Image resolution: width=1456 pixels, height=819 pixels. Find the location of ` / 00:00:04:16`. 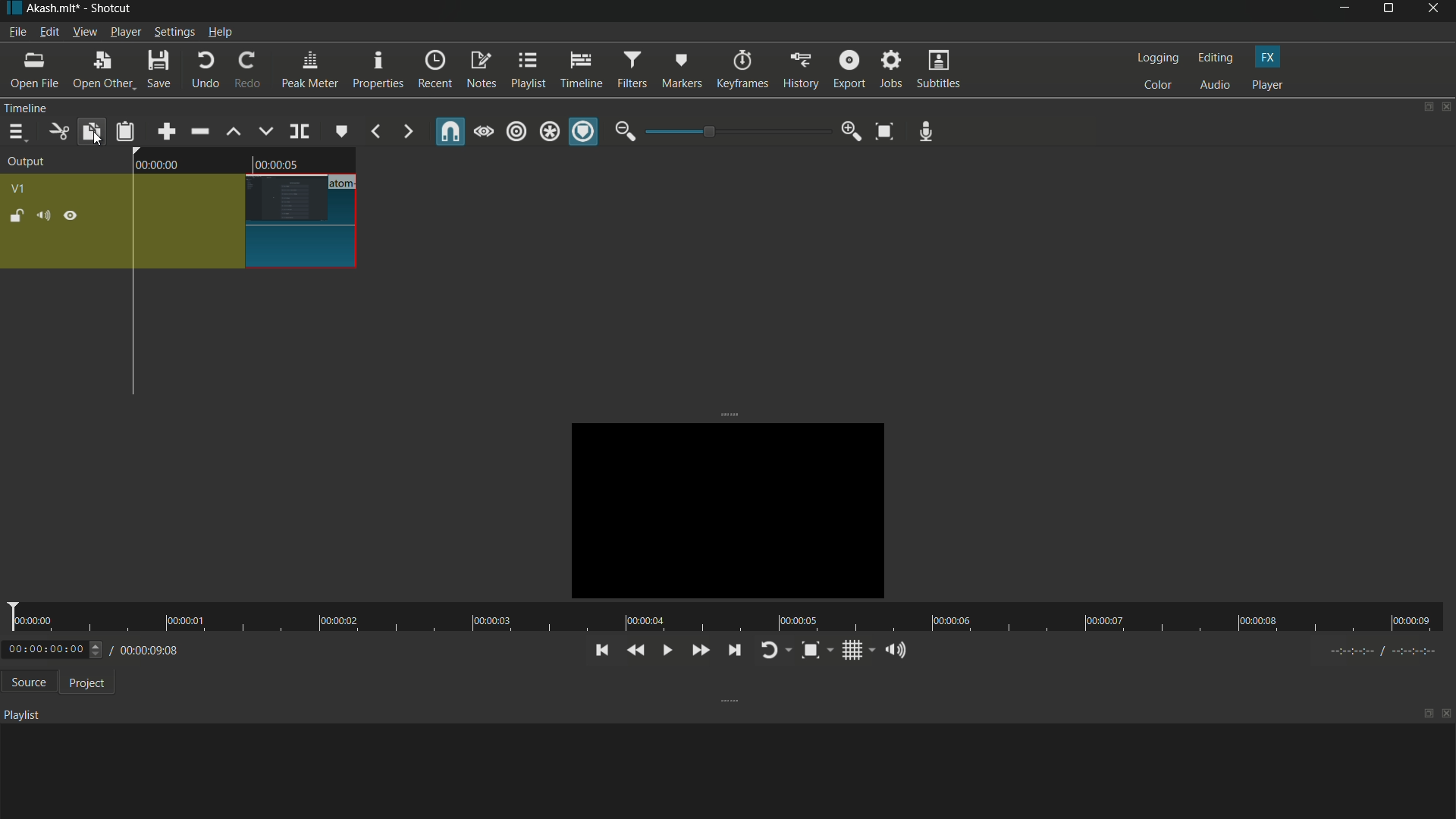

 / 00:00:04:16 is located at coordinates (152, 649).